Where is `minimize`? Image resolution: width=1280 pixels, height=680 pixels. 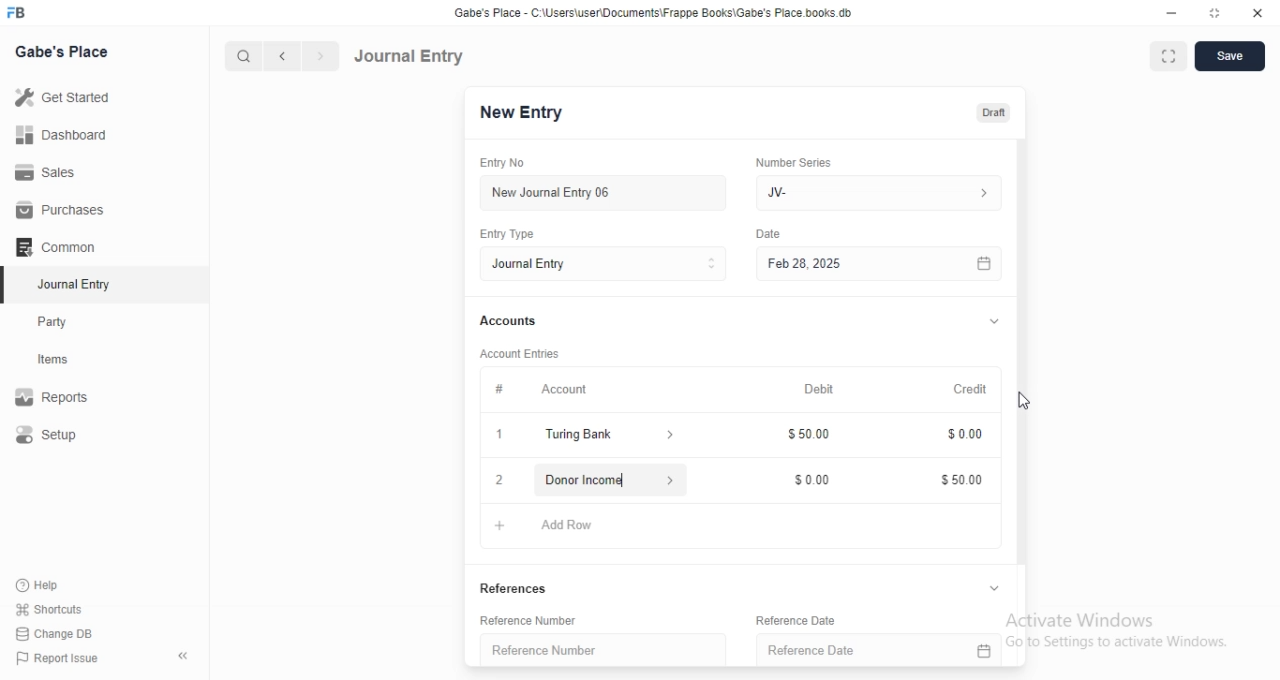 minimize is located at coordinates (1170, 16).